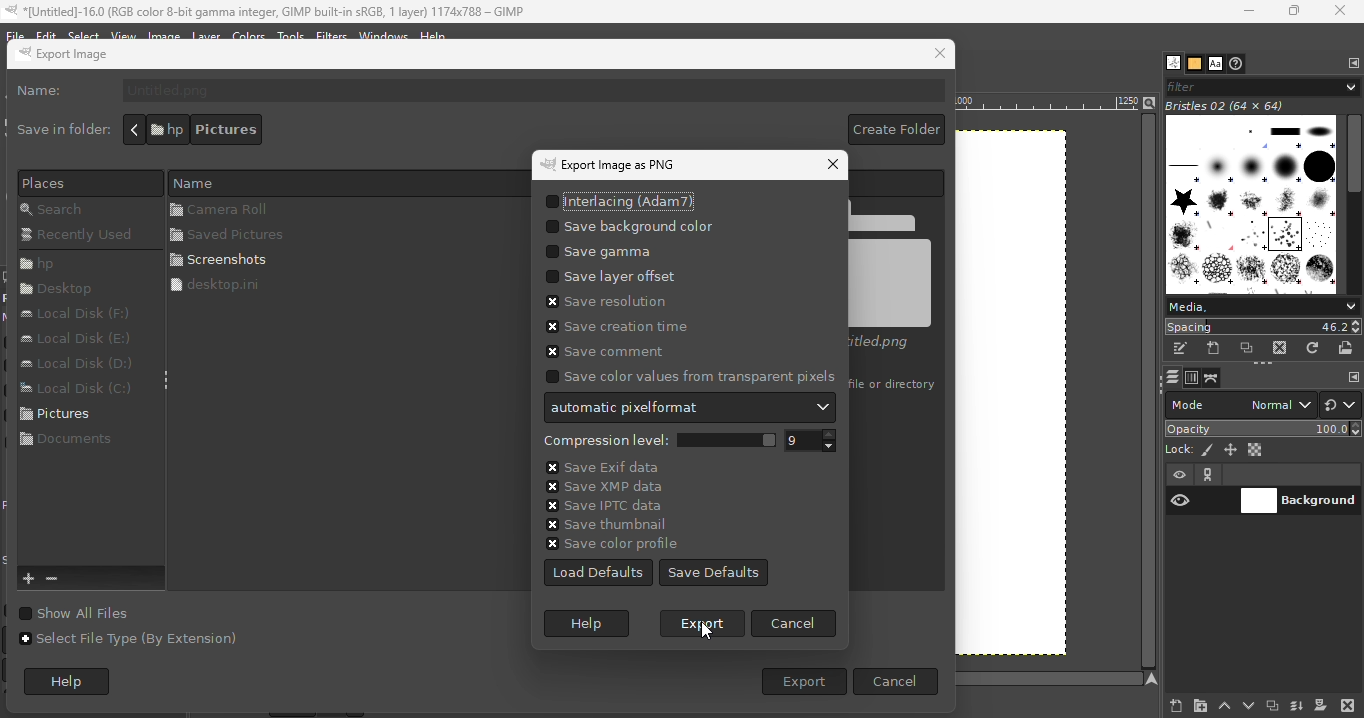  I want to click on Save XMP data, so click(597, 484).